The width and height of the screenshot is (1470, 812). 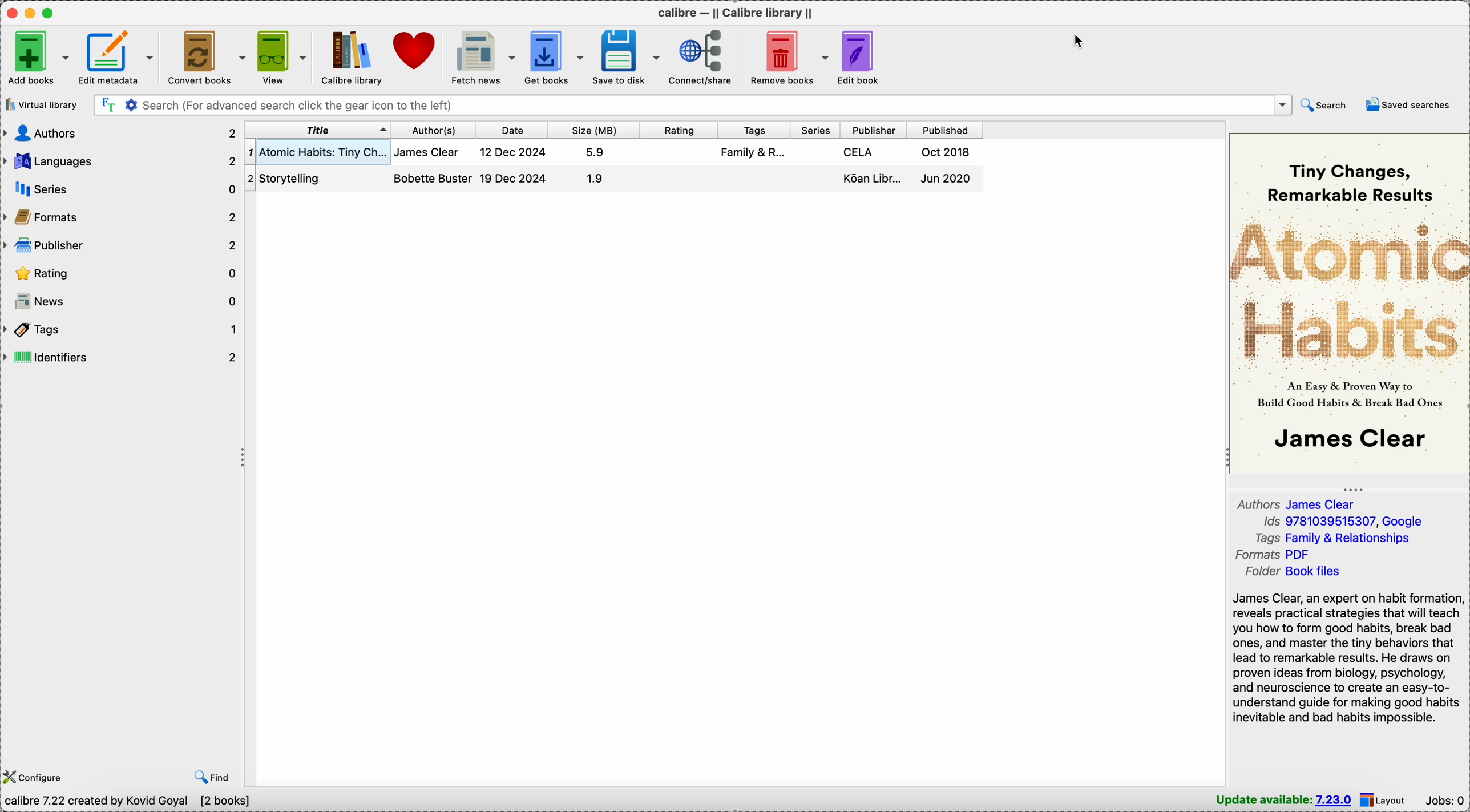 I want to click on publisher, so click(x=869, y=168).